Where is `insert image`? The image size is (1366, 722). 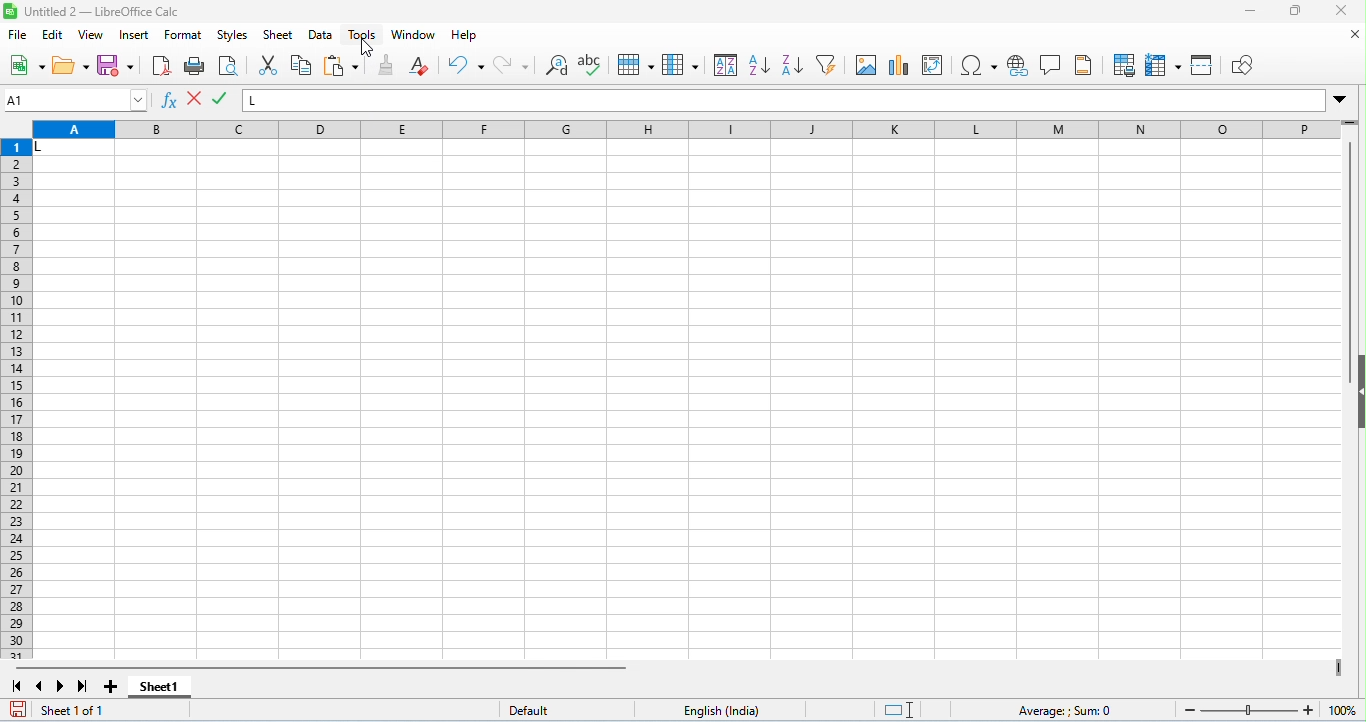
insert image is located at coordinates (866, 65).